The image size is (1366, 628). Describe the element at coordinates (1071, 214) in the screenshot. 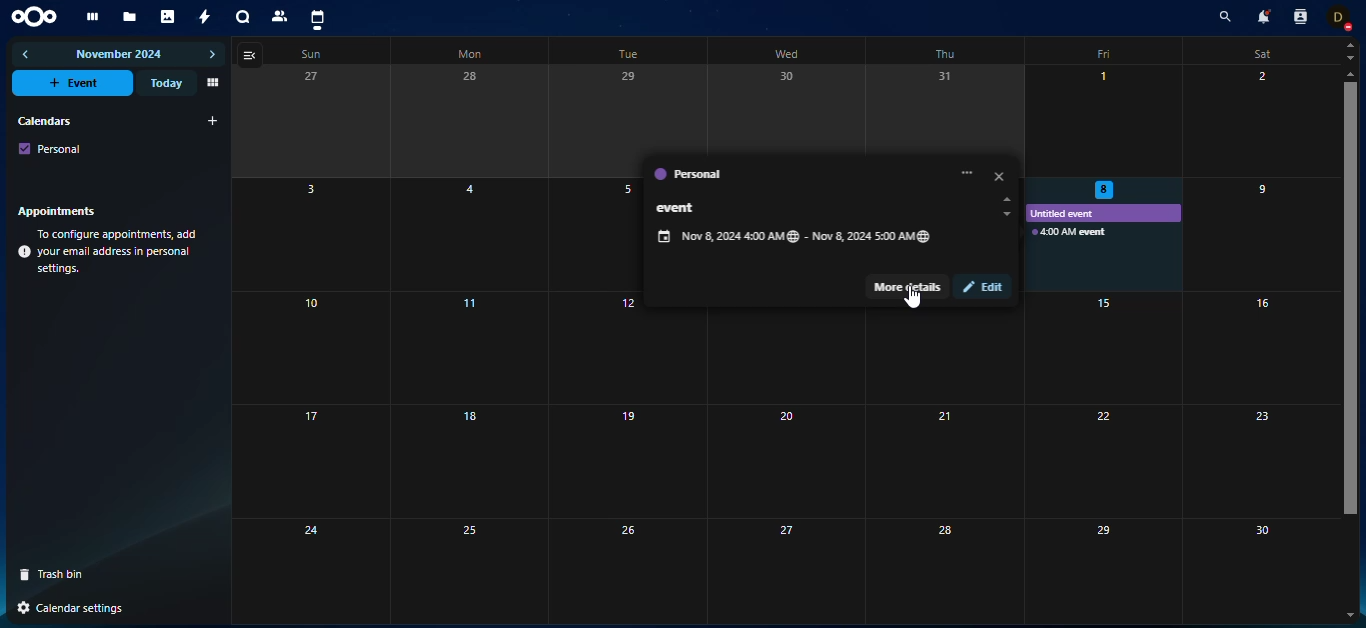

I see `untitled event` at that location.